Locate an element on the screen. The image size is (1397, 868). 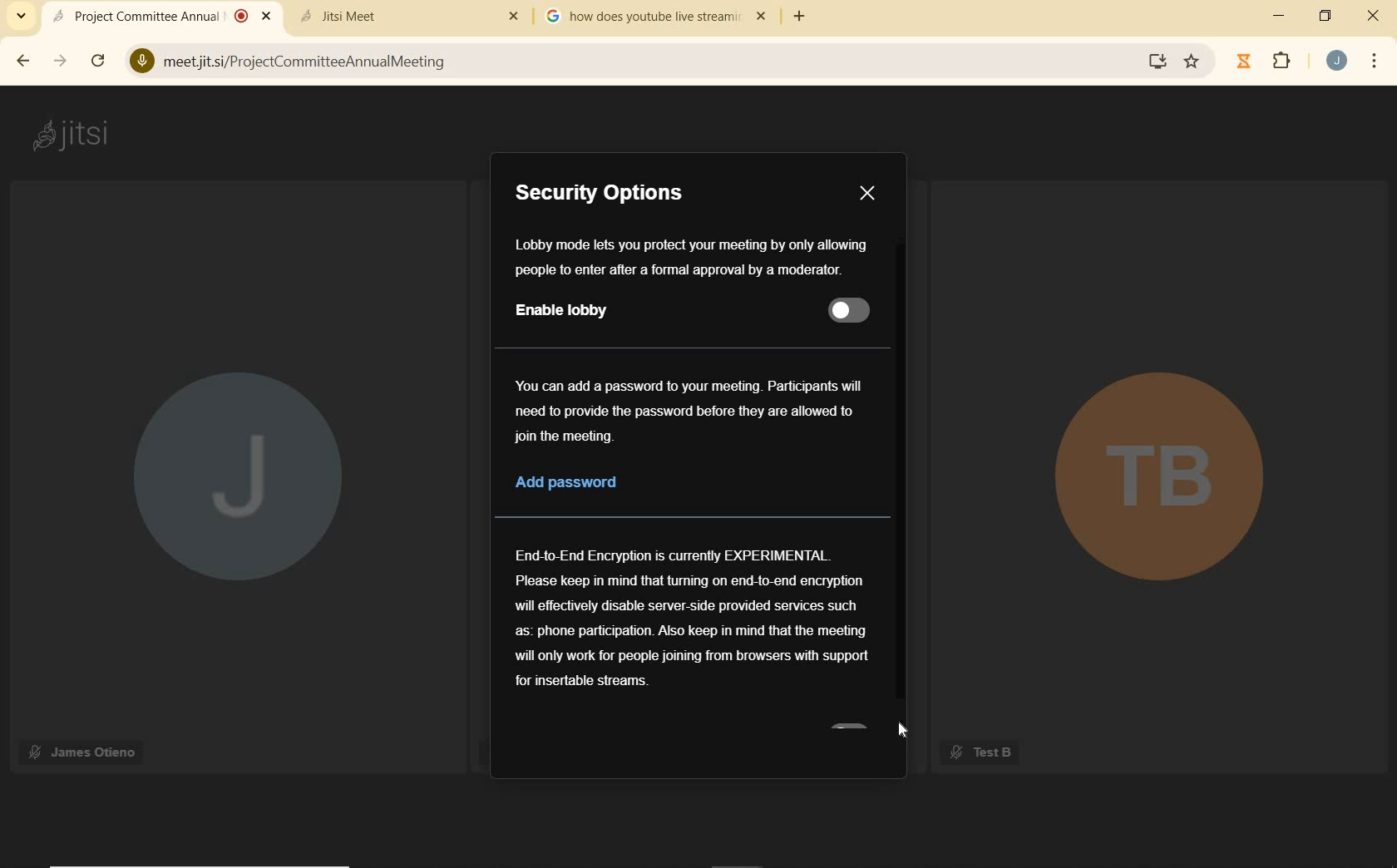
BACK is located at coordinates (20, 62).